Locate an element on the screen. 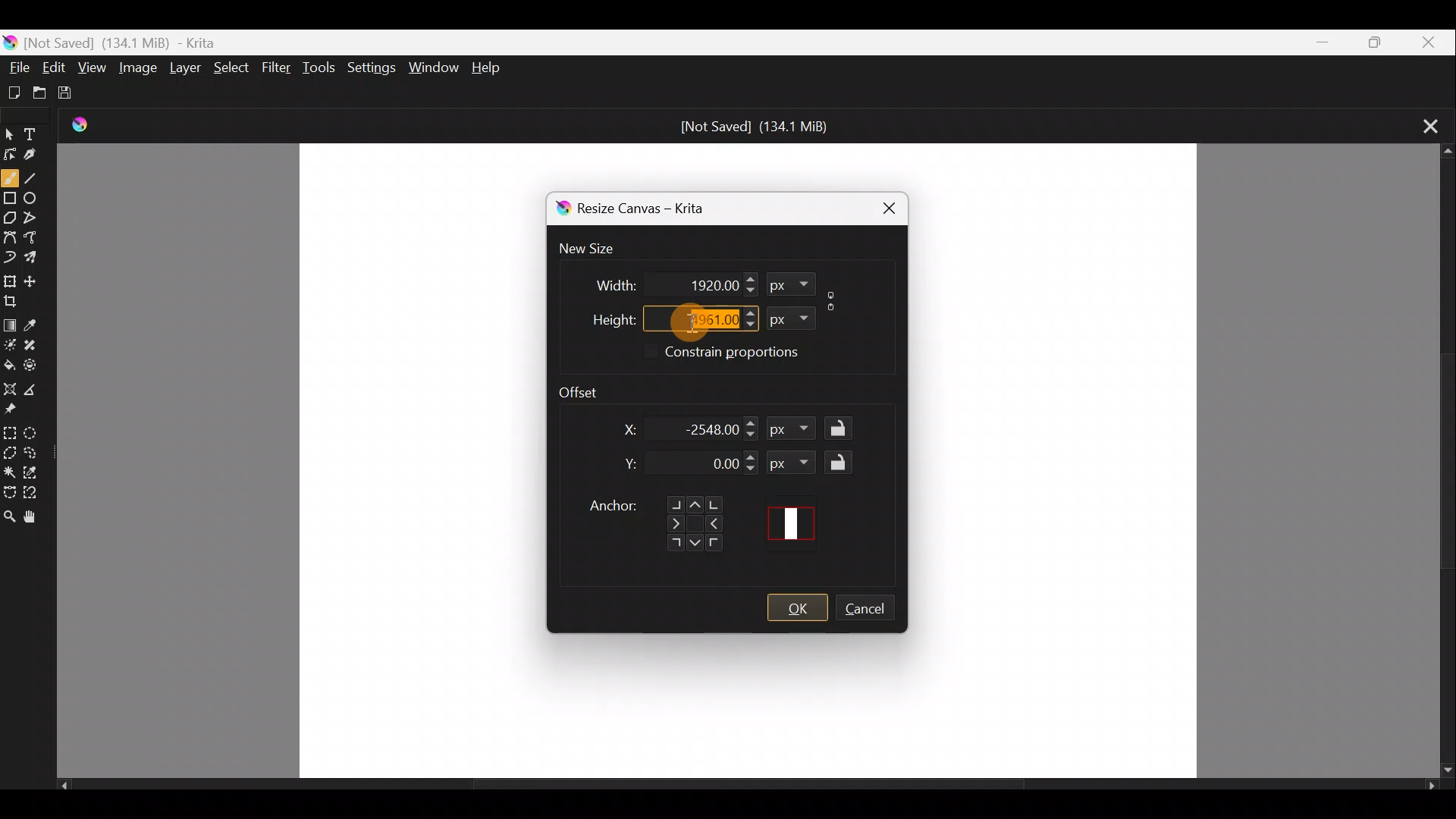 This screenshot has width=1456, height=819. Text tool is located at coordinates (39, 129).